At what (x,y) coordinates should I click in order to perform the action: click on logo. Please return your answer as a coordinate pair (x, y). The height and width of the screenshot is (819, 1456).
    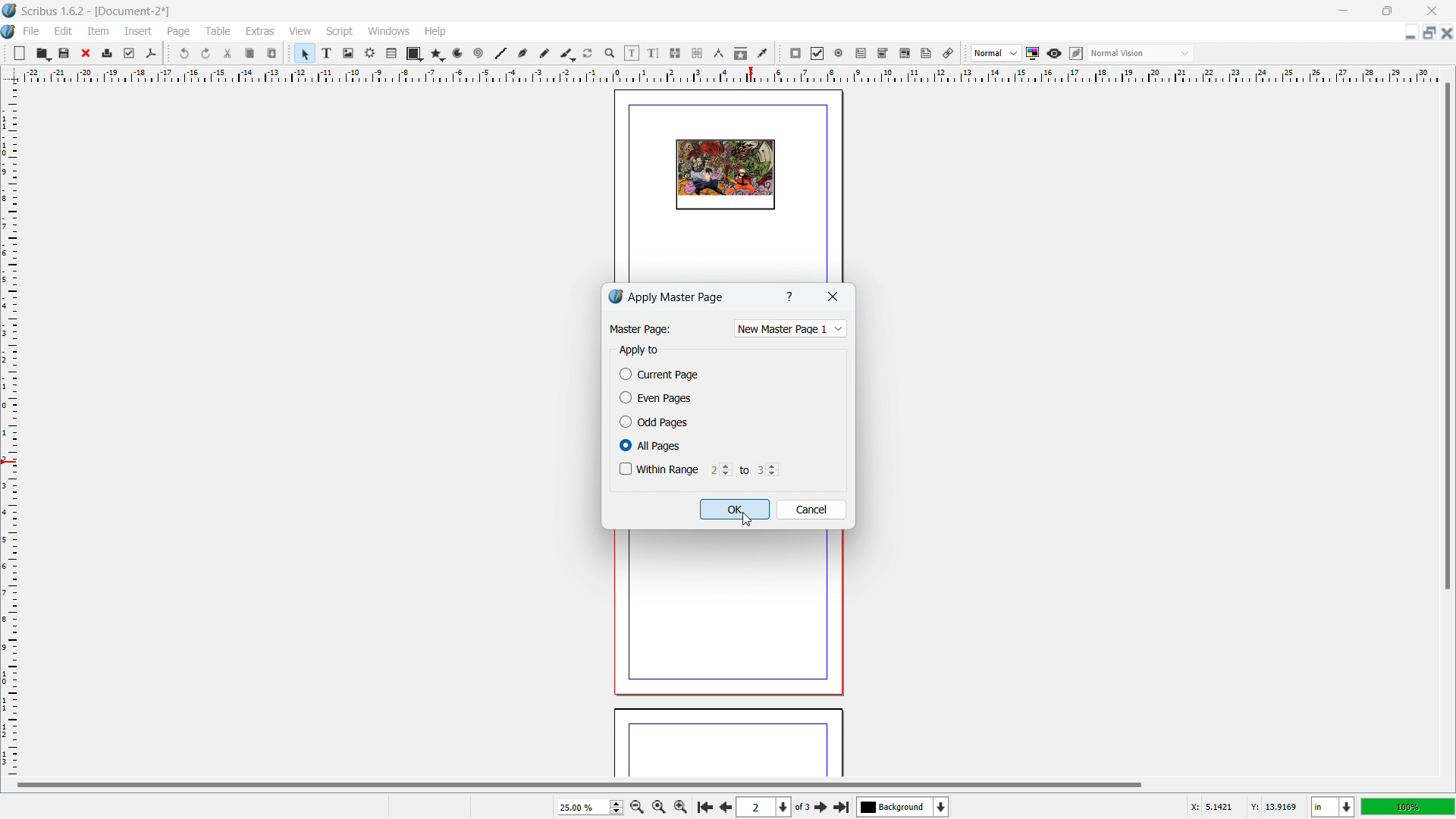
    Looking at the image, I should click on (10, 11).